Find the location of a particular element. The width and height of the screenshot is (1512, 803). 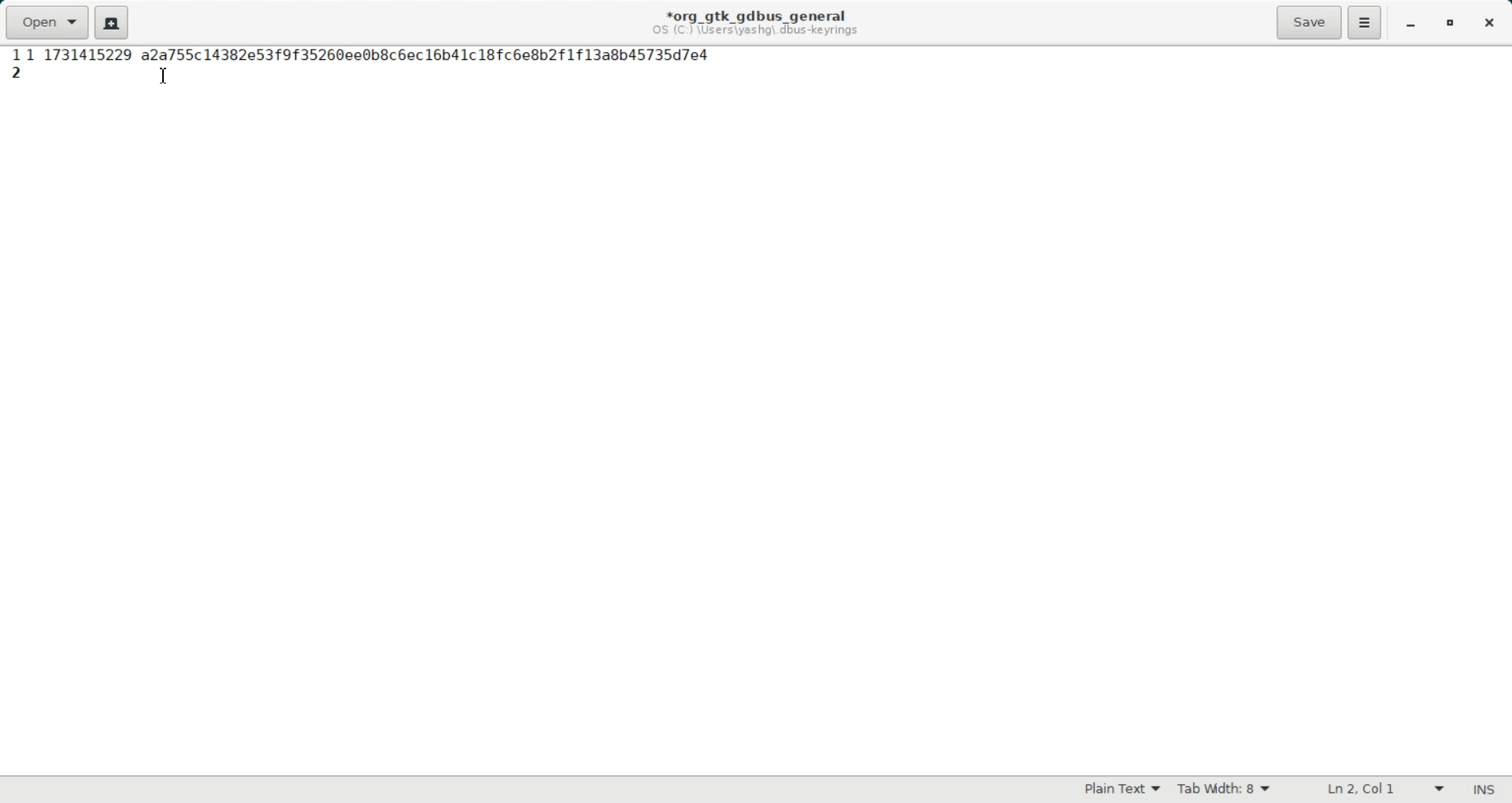

Hamburger Settings is located at coordinates (1365, 22).